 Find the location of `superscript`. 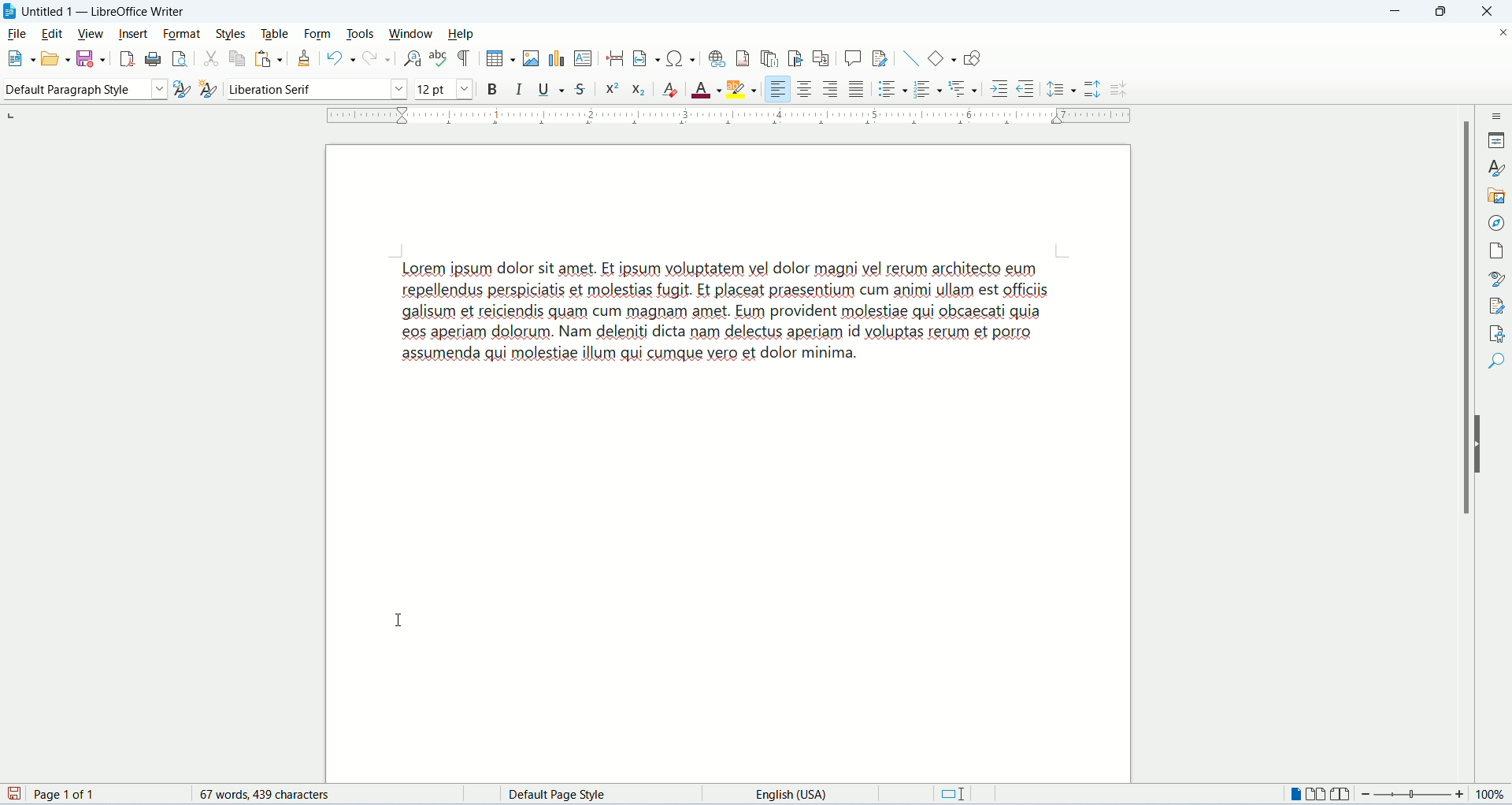

superscript is located at coordinates (612, 89).